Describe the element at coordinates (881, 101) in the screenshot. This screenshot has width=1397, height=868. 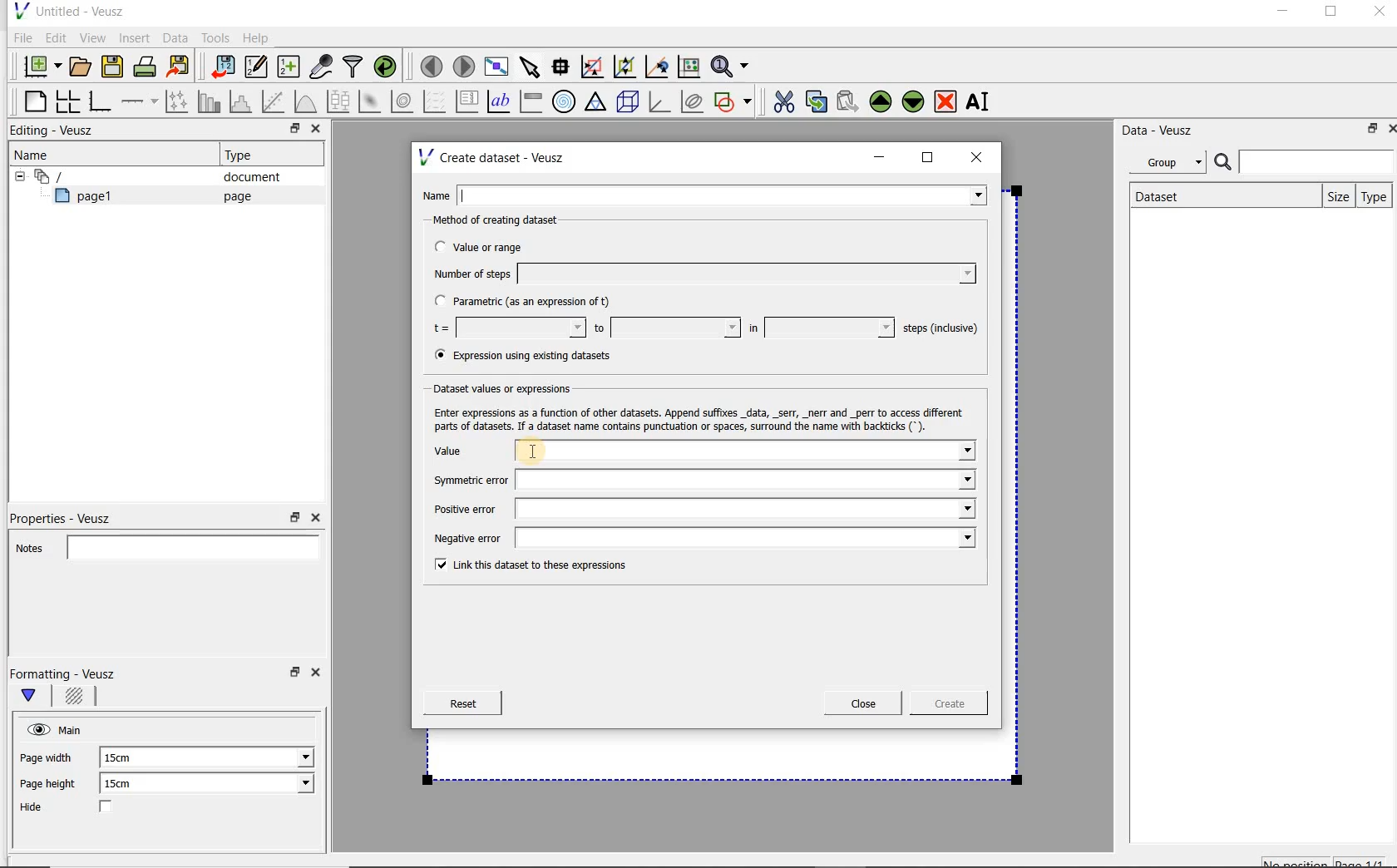
I see `Move the selected widget up` at that location.